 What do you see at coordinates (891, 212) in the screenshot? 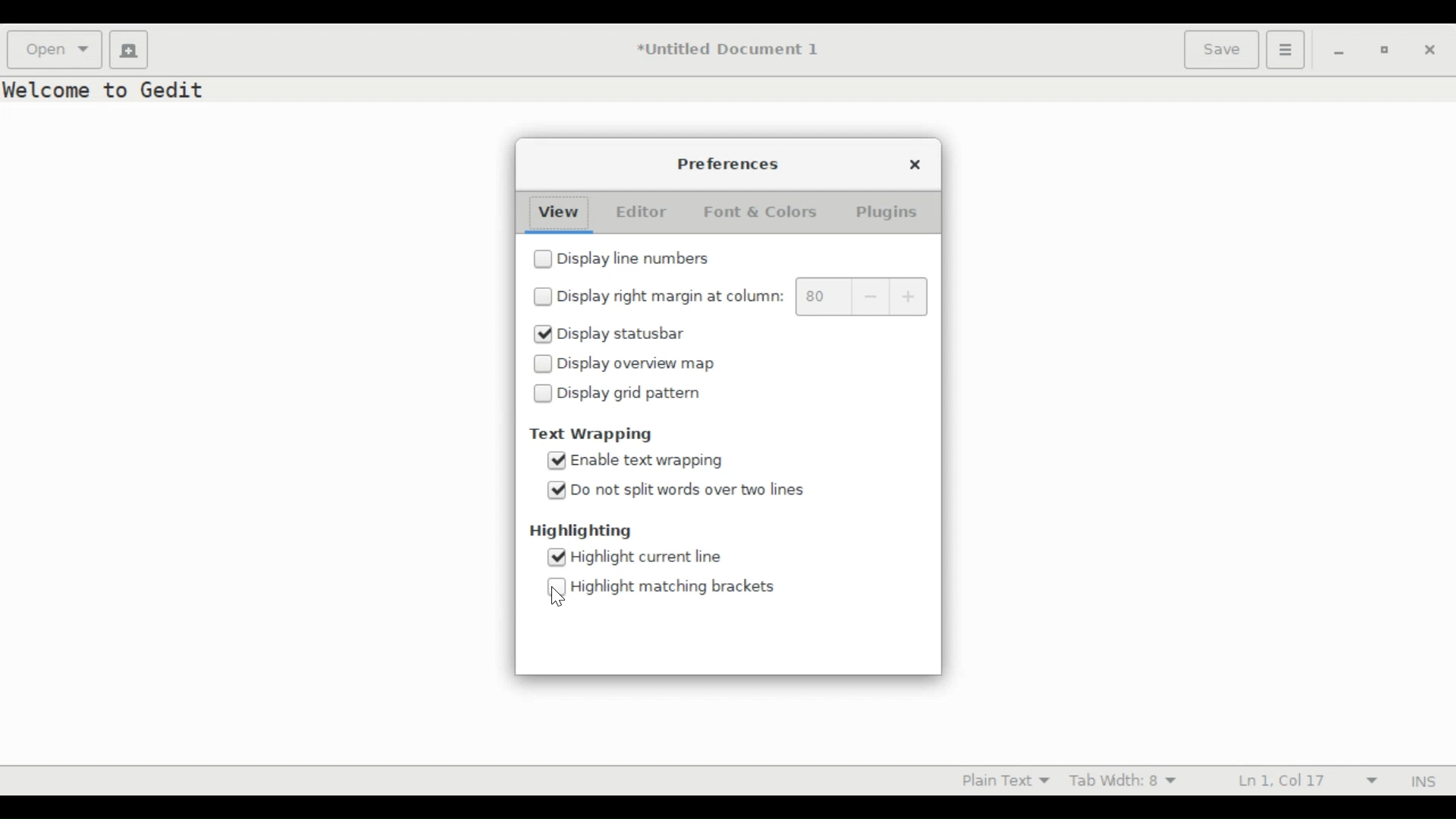
I see `Plugins` at bounding box center [891, 212].